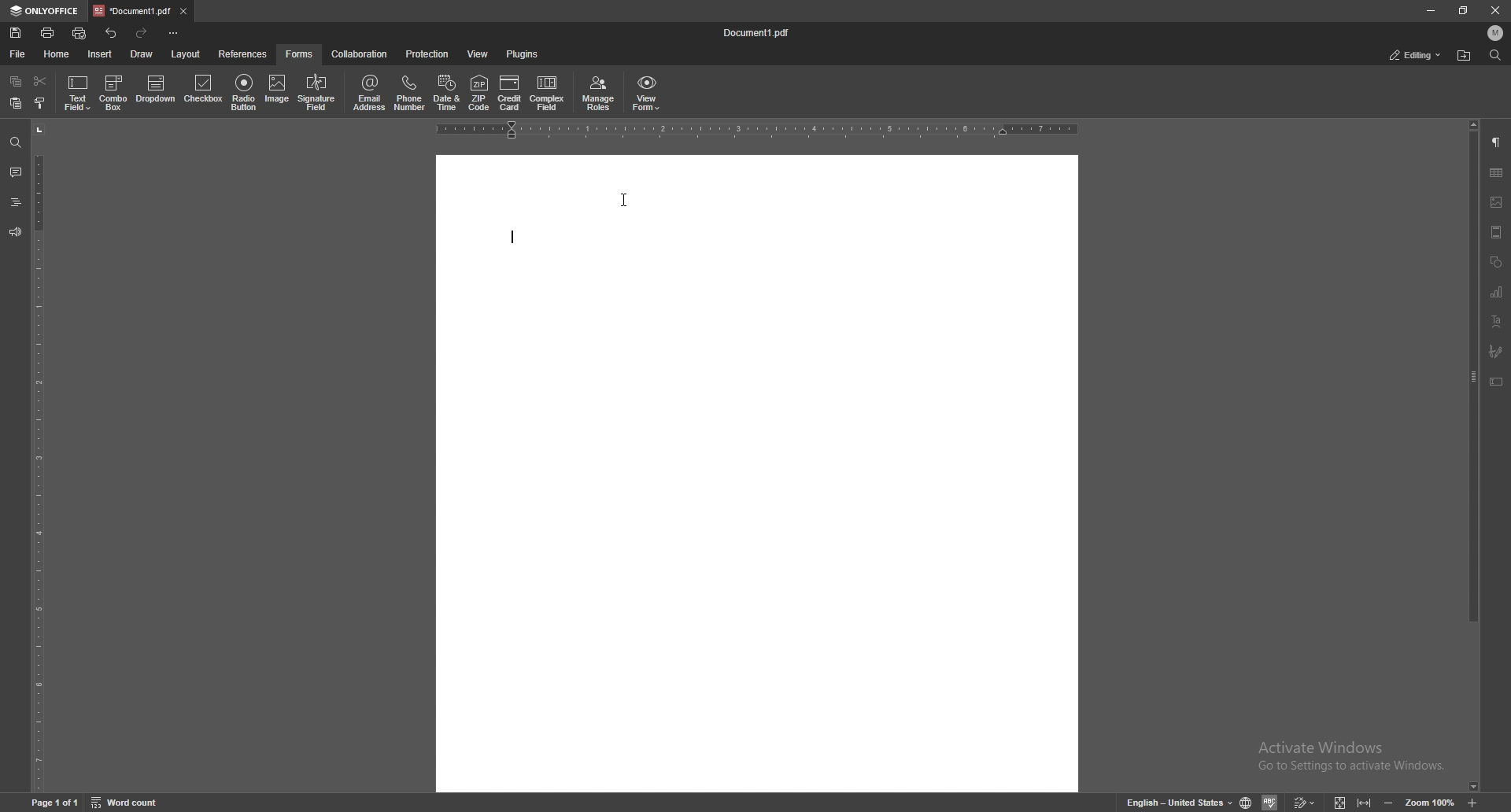 The height and width of the screenshot is (812, 1511). What do you see at coordinates (114, 92) in the screenshot?
I see `combo box` at bounding box center [114, 92].